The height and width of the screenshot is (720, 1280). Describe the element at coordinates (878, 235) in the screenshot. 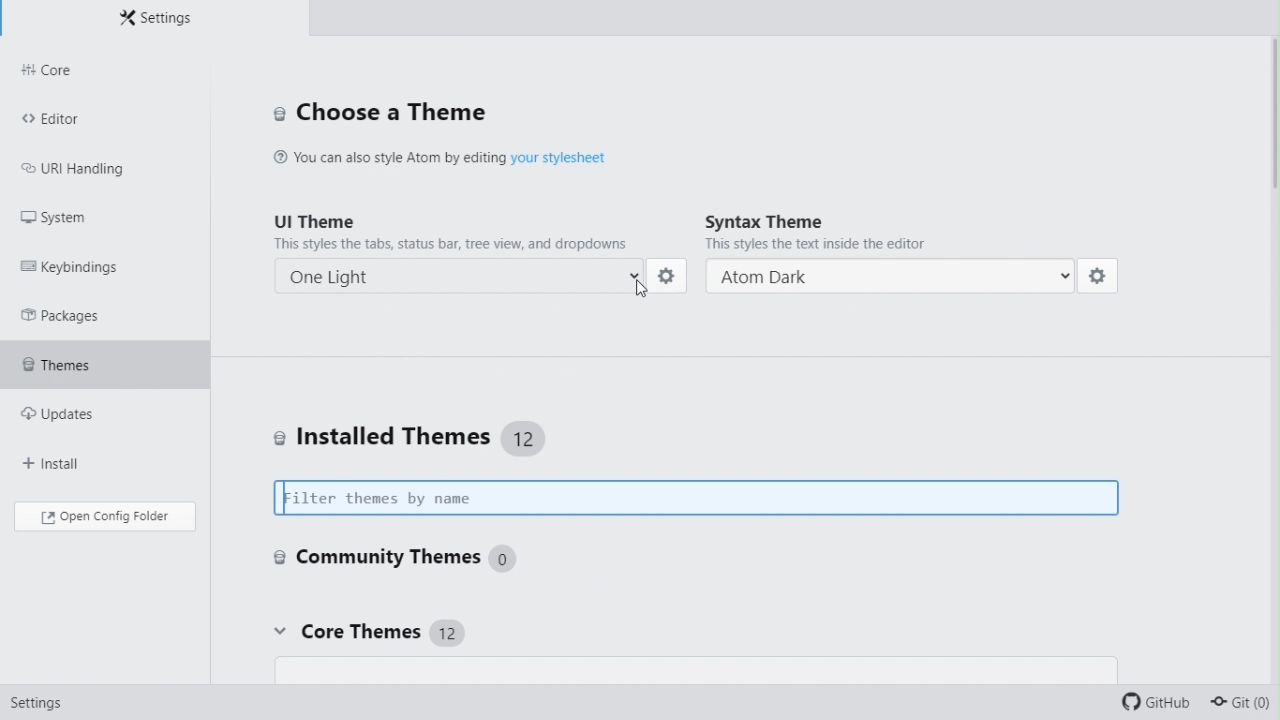

I see `Syntax theme` at that location.